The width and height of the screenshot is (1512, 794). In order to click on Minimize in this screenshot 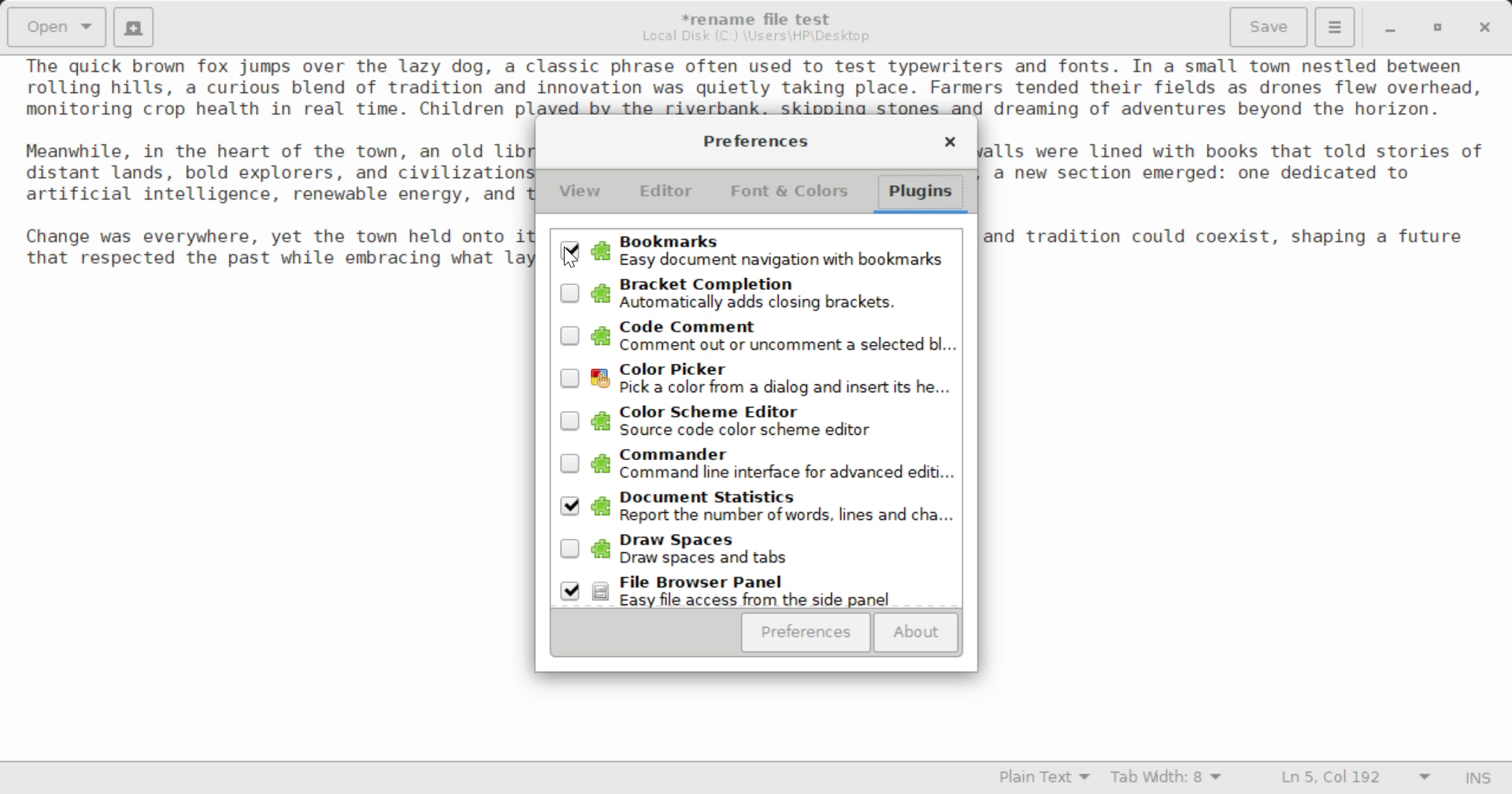, I will do `click(1438, 28)`.